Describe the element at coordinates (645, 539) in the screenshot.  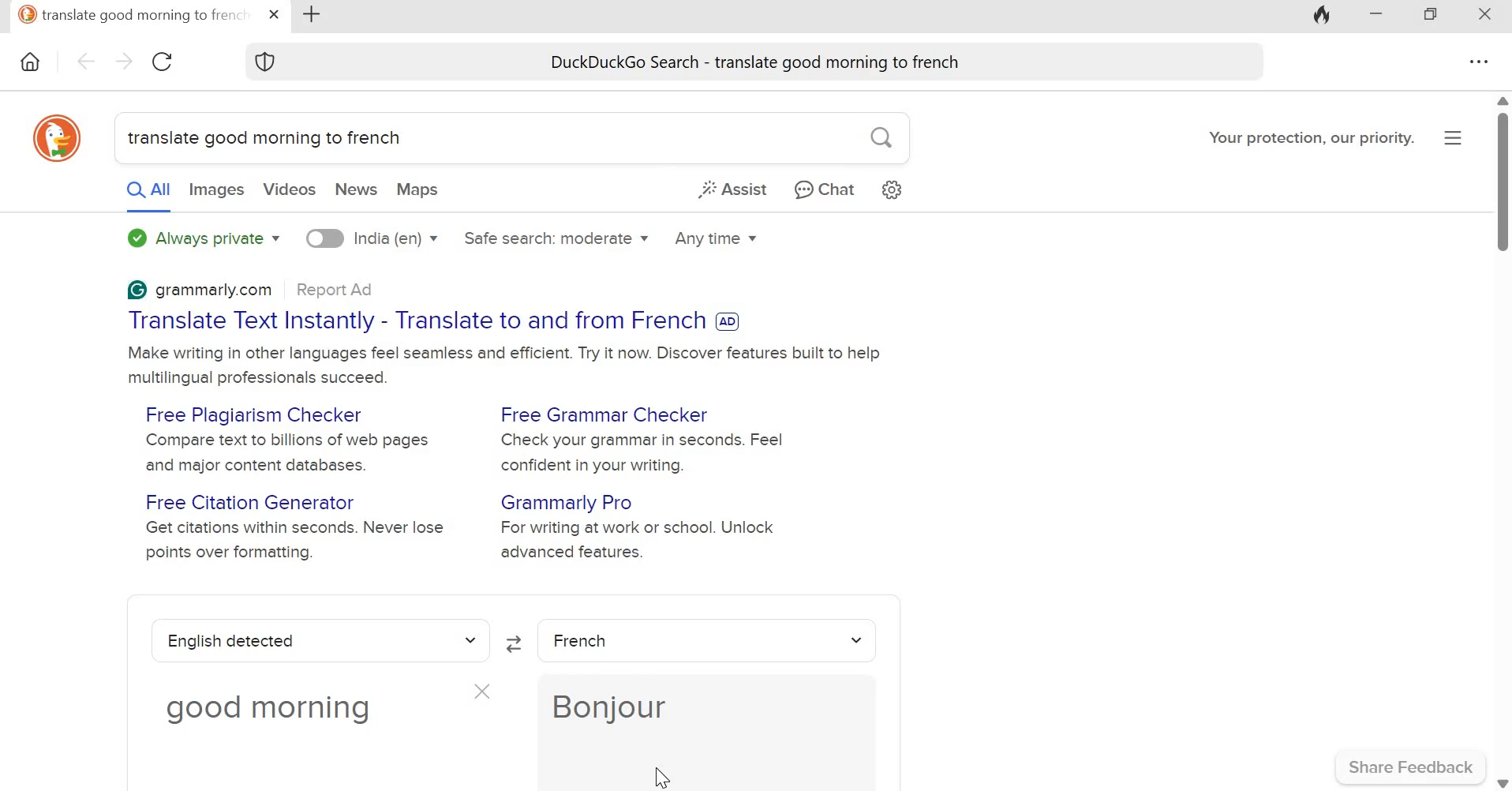
I see `For writing at work or school. Unlock advanced features.` at that location.